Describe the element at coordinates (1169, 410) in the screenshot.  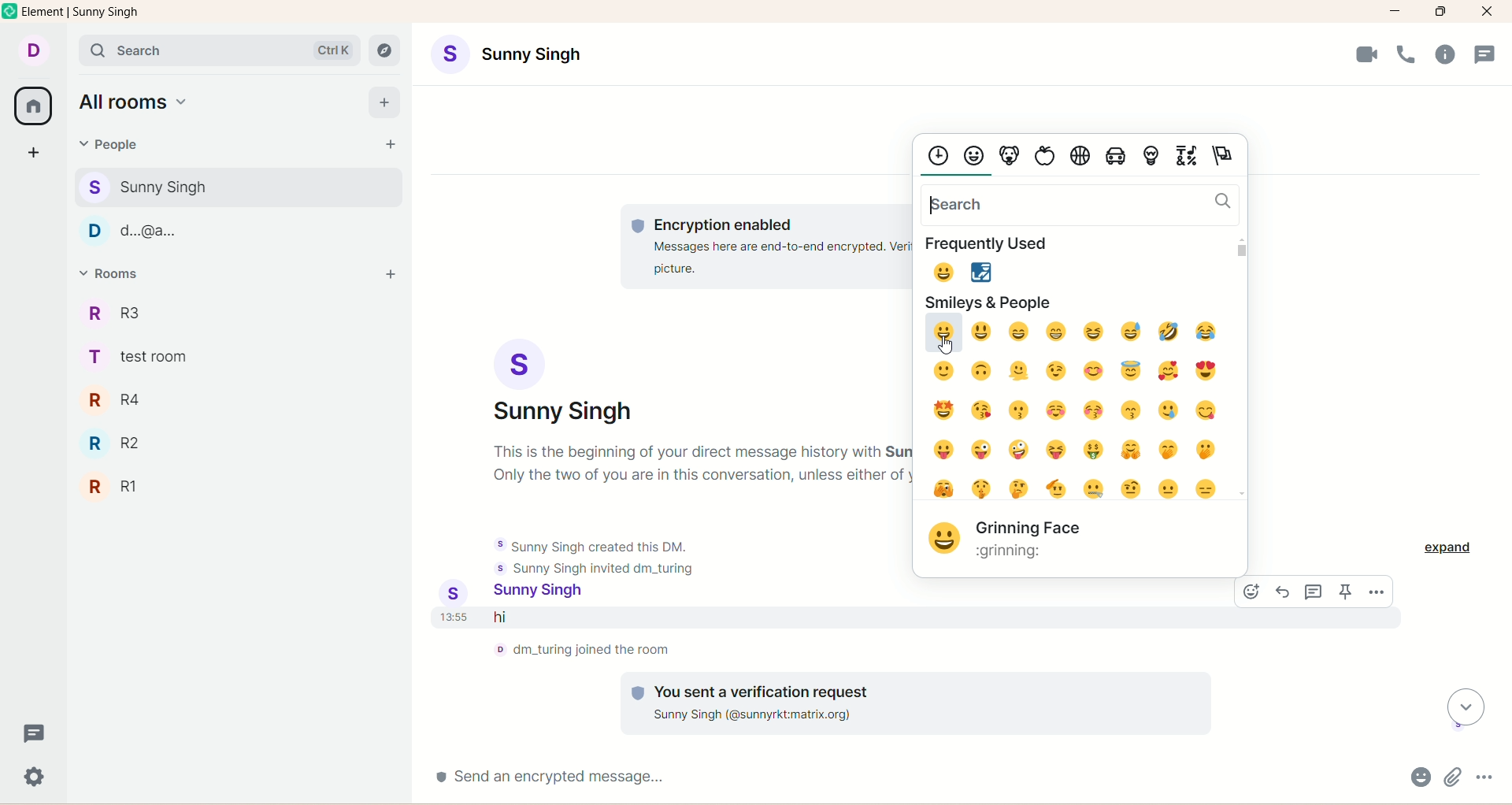
I see `Smiling face with tear` at that location.